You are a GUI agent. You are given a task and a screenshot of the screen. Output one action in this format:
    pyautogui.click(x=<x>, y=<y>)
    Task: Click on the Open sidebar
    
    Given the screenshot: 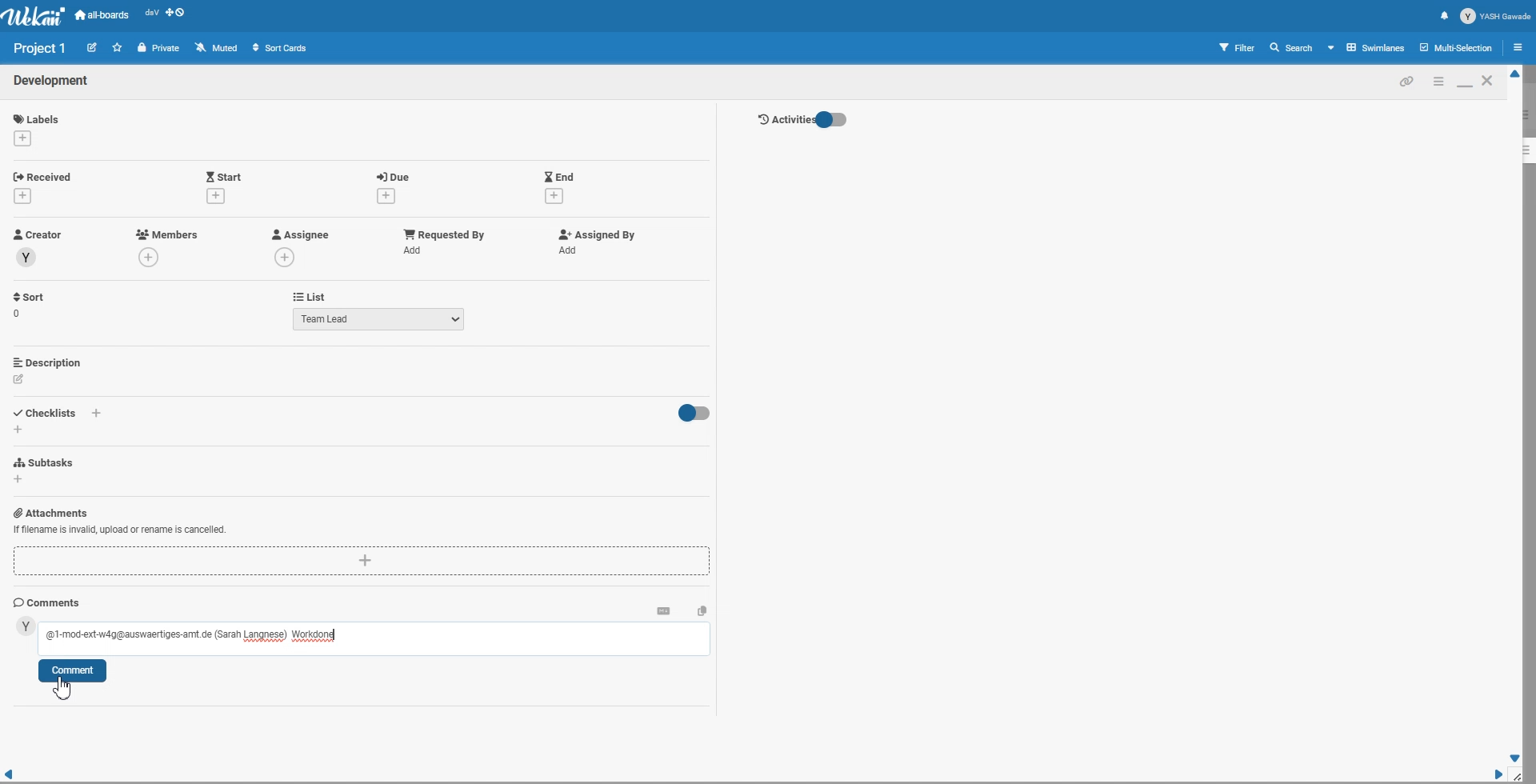 What is the action you would take?
    pyautogui.click(x=1521, y=46)
    